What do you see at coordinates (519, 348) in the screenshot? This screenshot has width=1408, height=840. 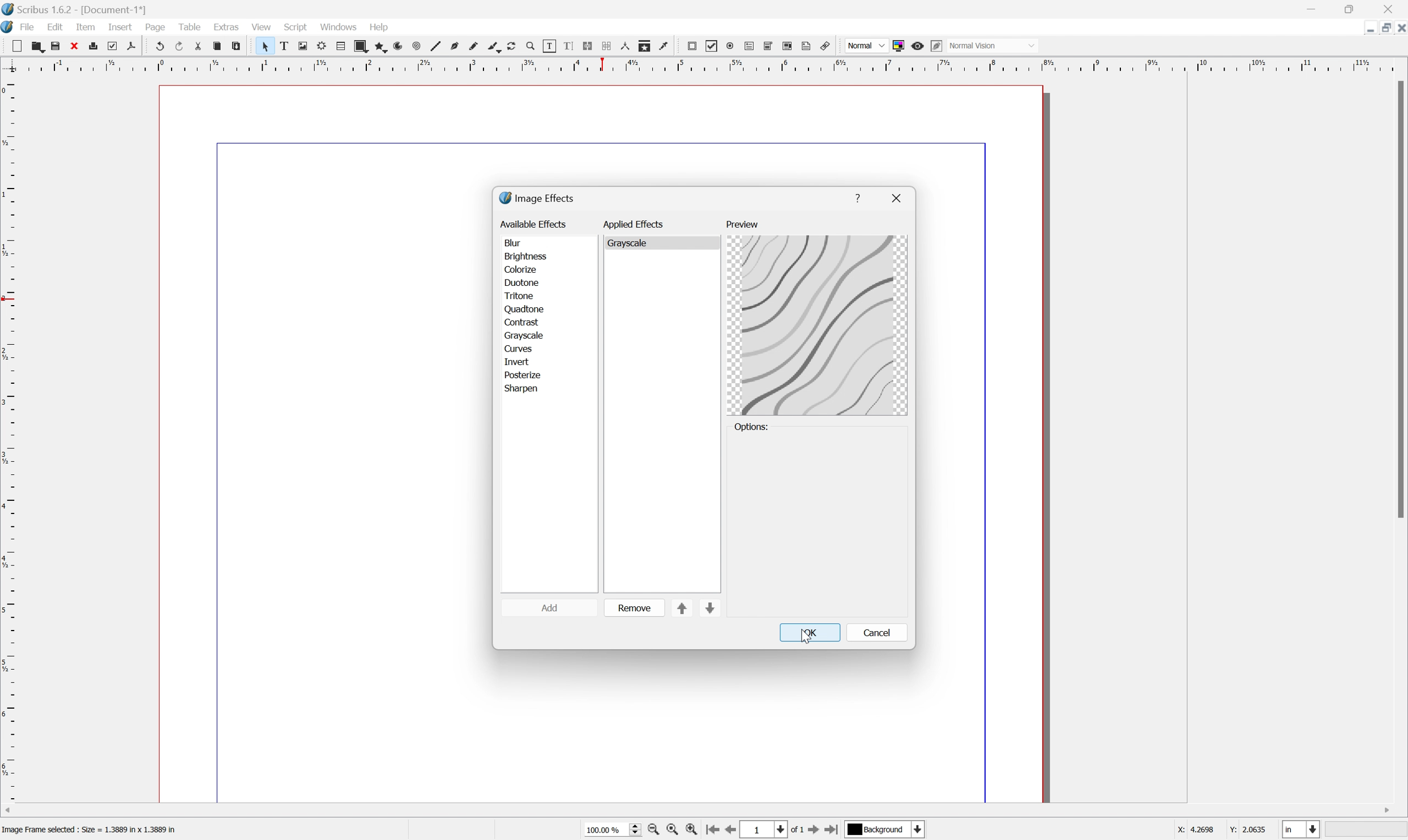 I see `curves` at bounding box center [519, 348].